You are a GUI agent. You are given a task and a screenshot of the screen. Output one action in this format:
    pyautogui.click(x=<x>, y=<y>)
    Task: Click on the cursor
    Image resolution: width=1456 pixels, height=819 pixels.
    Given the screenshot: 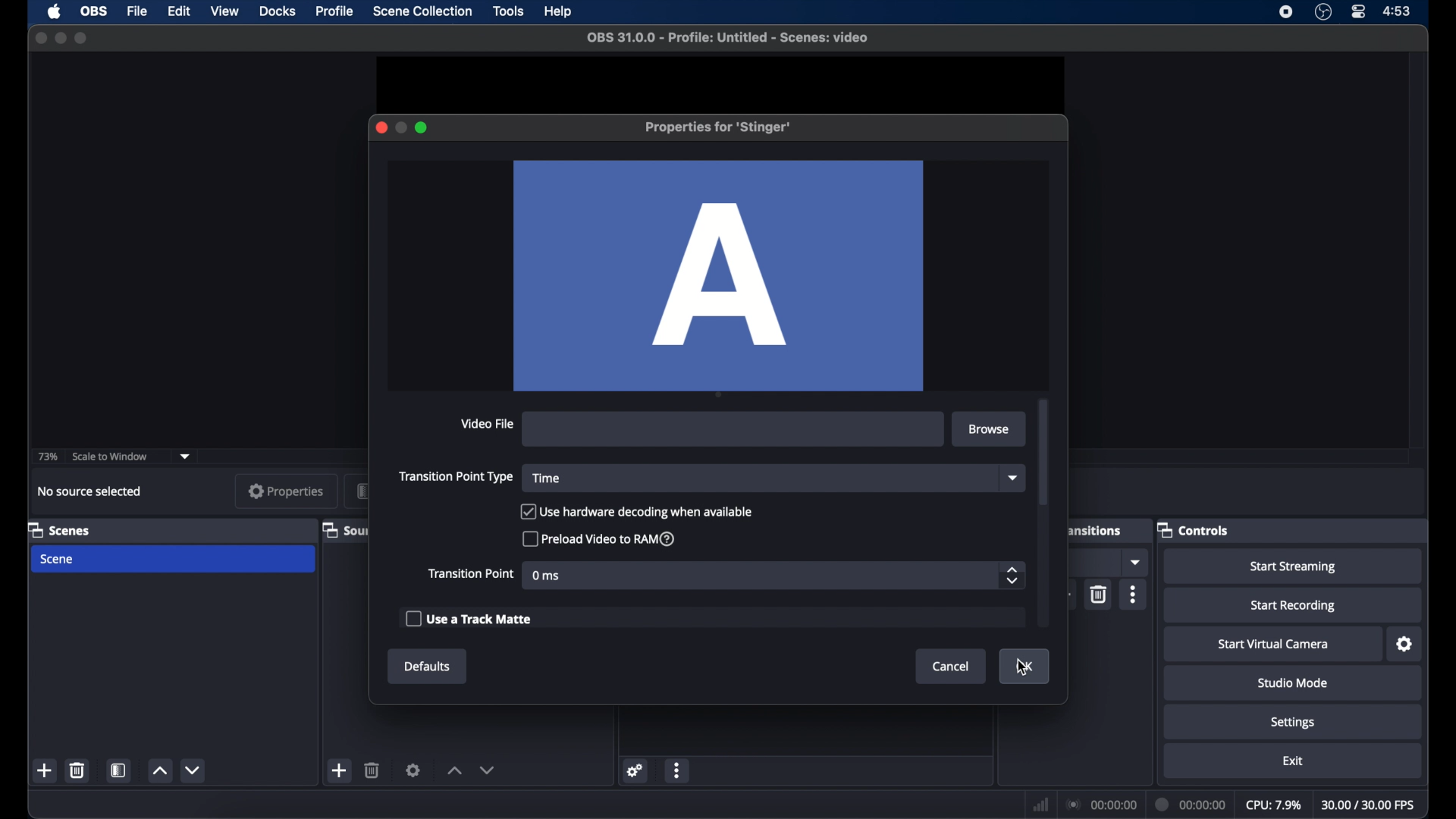 What is the action you would take?
    pyautogui.click(x=1023, y=667)
    